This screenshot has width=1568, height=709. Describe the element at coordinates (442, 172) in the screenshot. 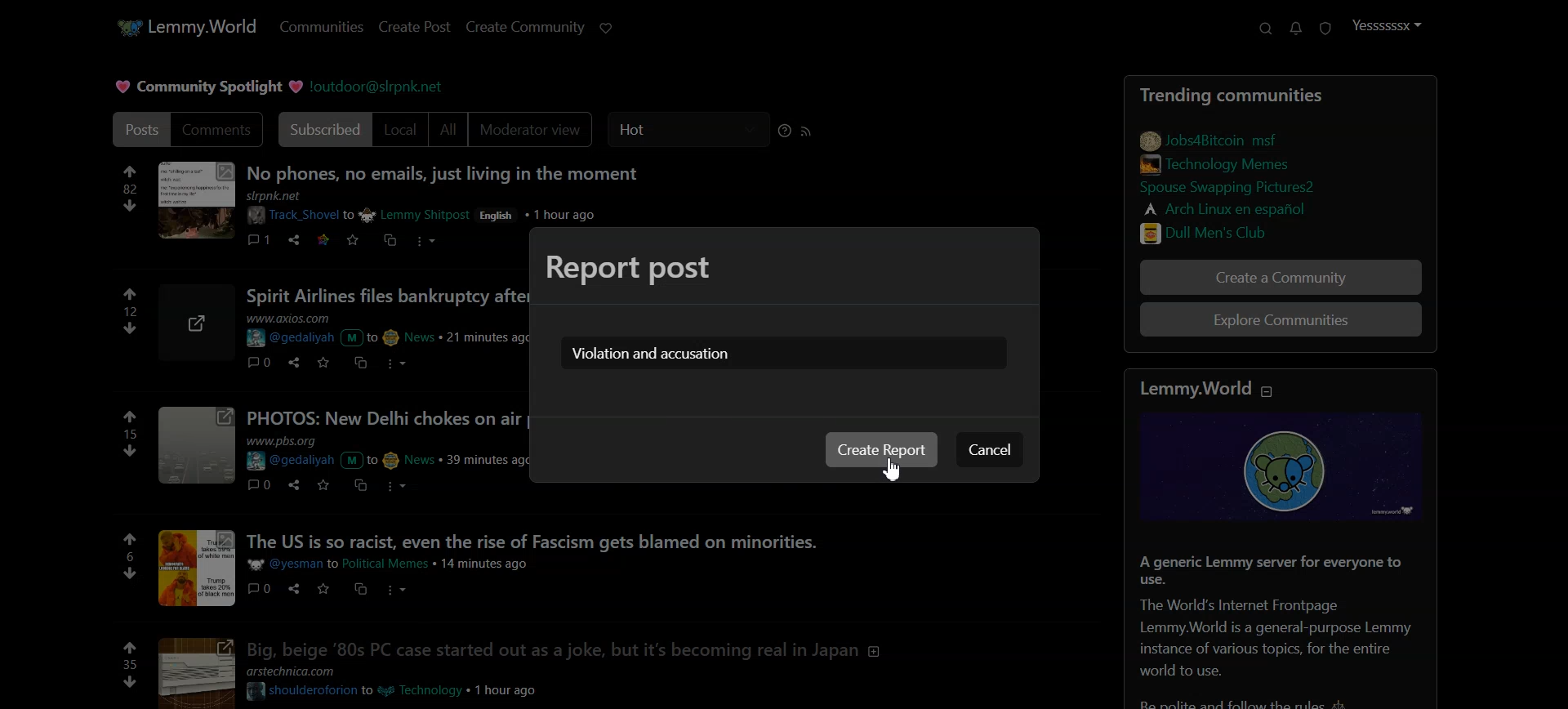

I see `Posts` at that location.